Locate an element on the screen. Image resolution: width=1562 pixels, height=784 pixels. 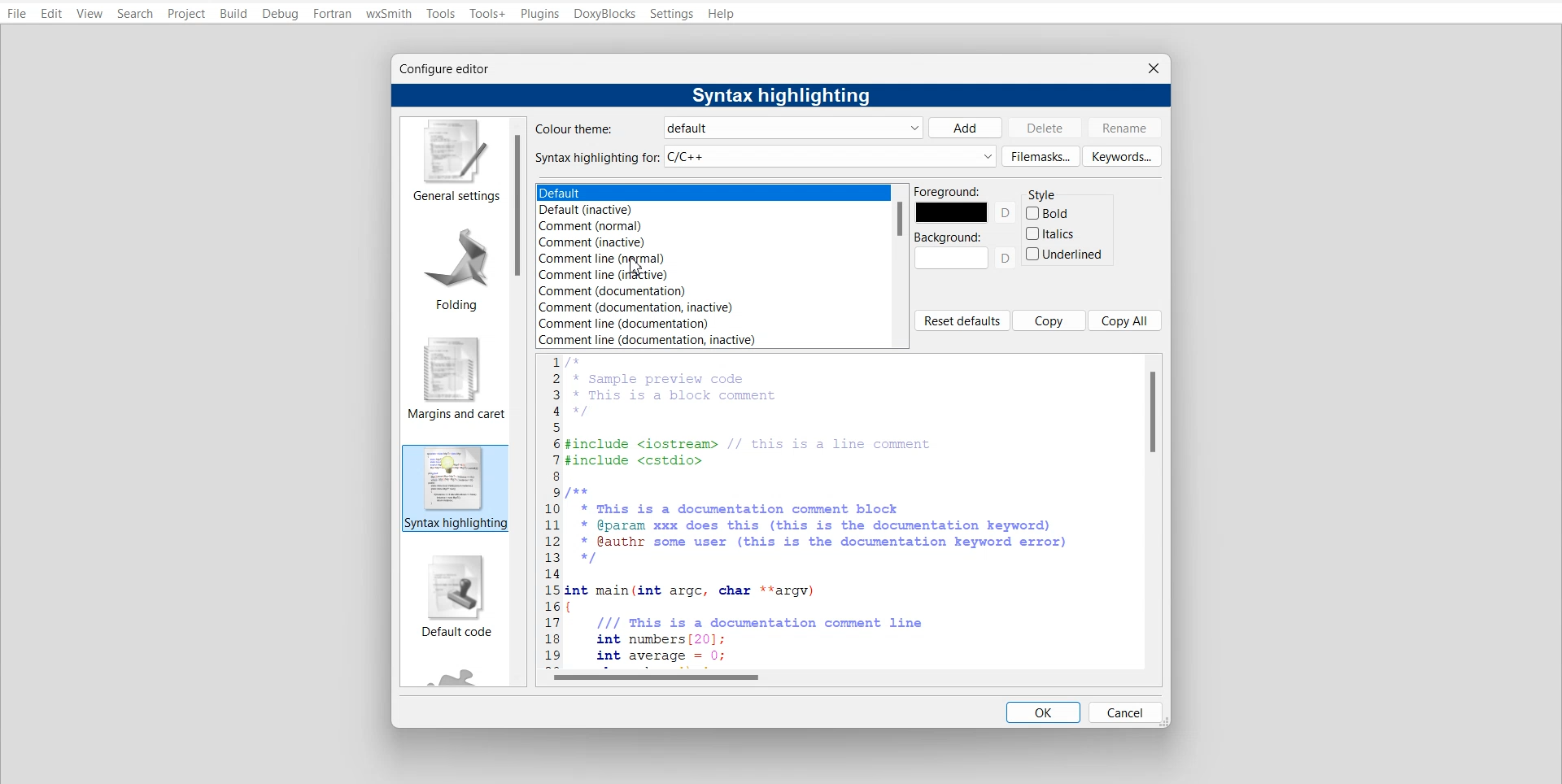
Underlined is located at coordinates (1063, 254).